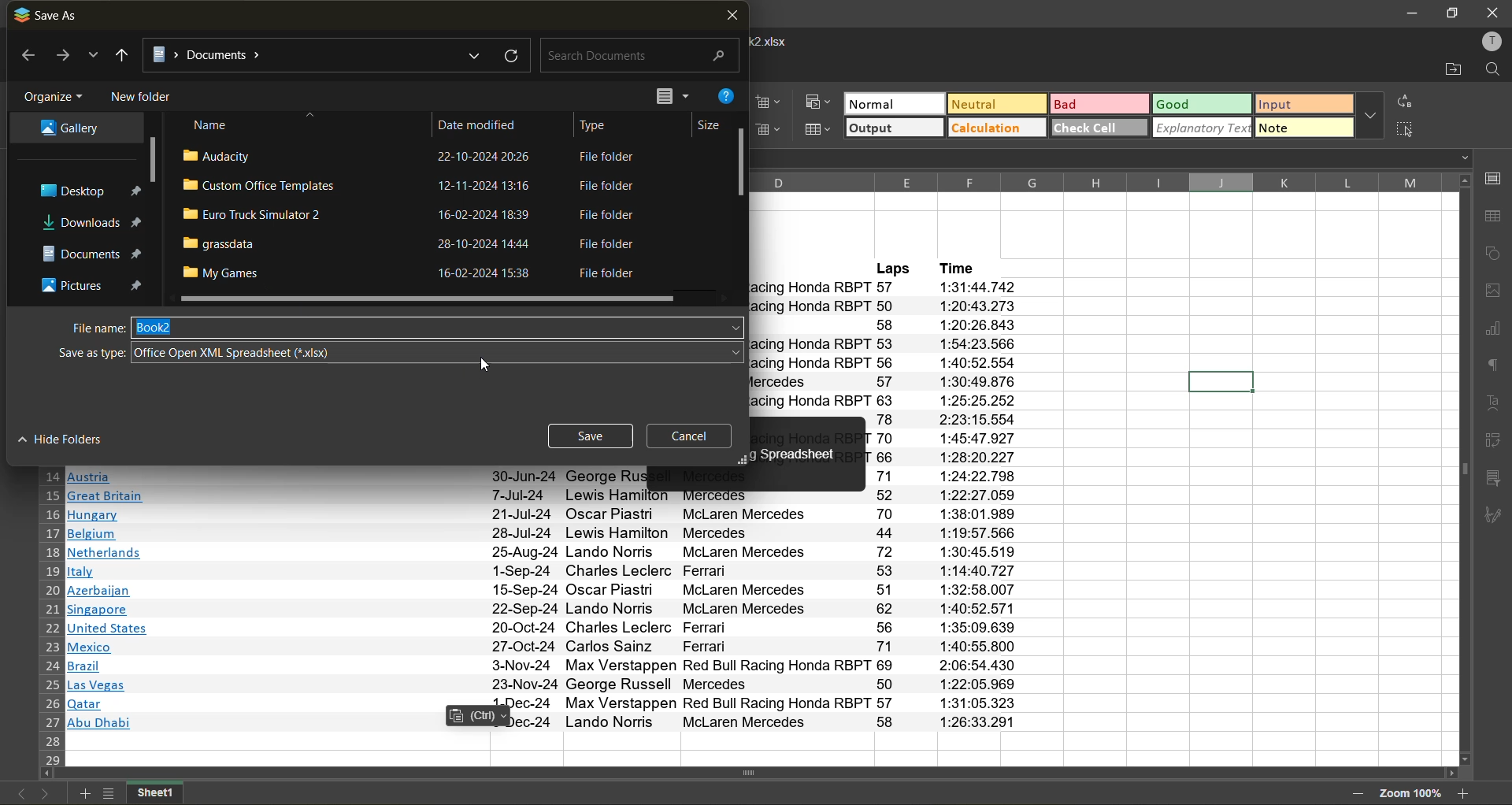  Describe the element at coordinates (636, 57) in the screenshot. I see `search` at that location.